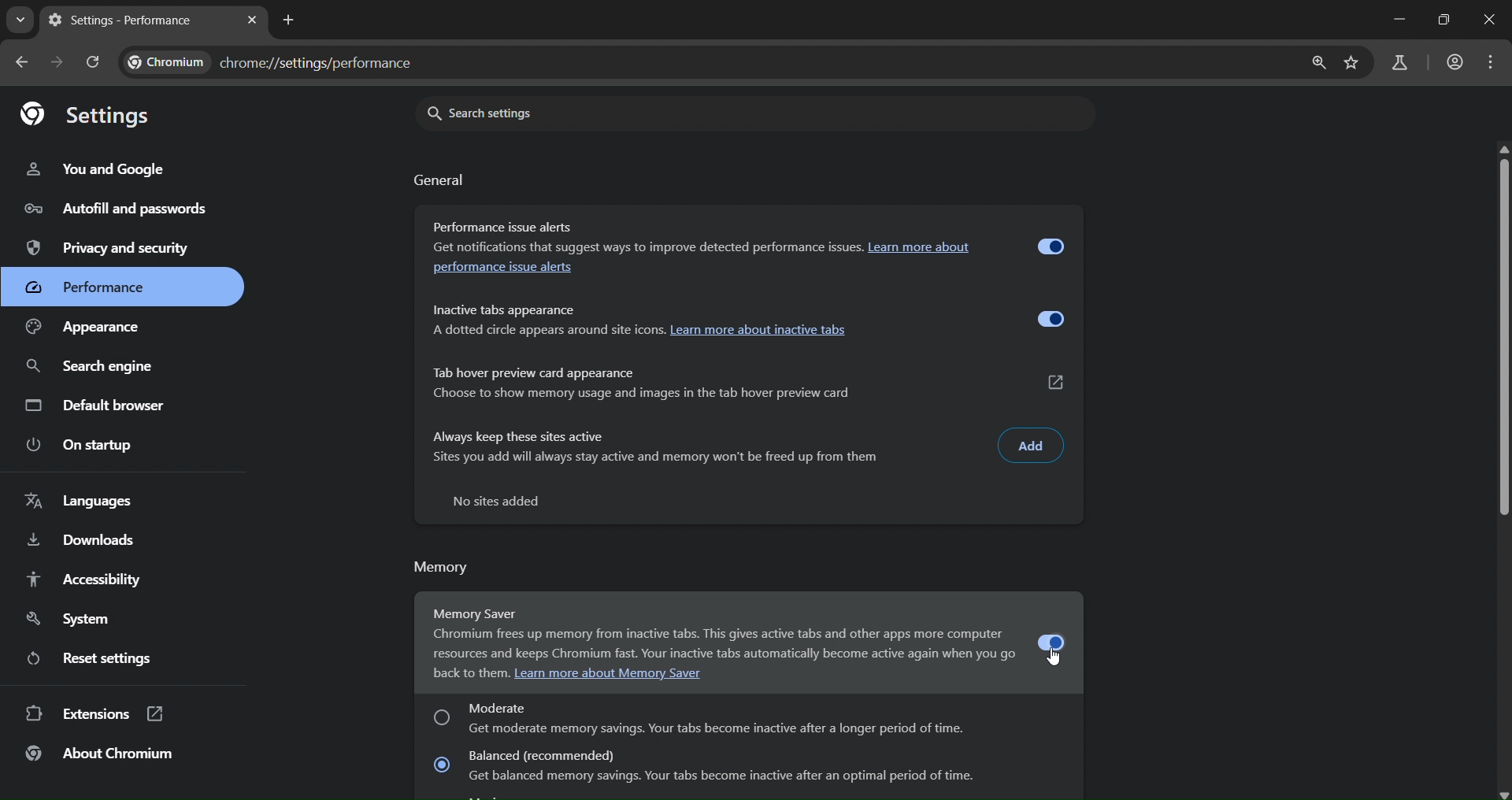 Image resolution: width=1512 pixels, height=800 pixels. Describe the element at coordinates (535, 372) in the screenshot. I see `tab hover preview card appearance` at that location.